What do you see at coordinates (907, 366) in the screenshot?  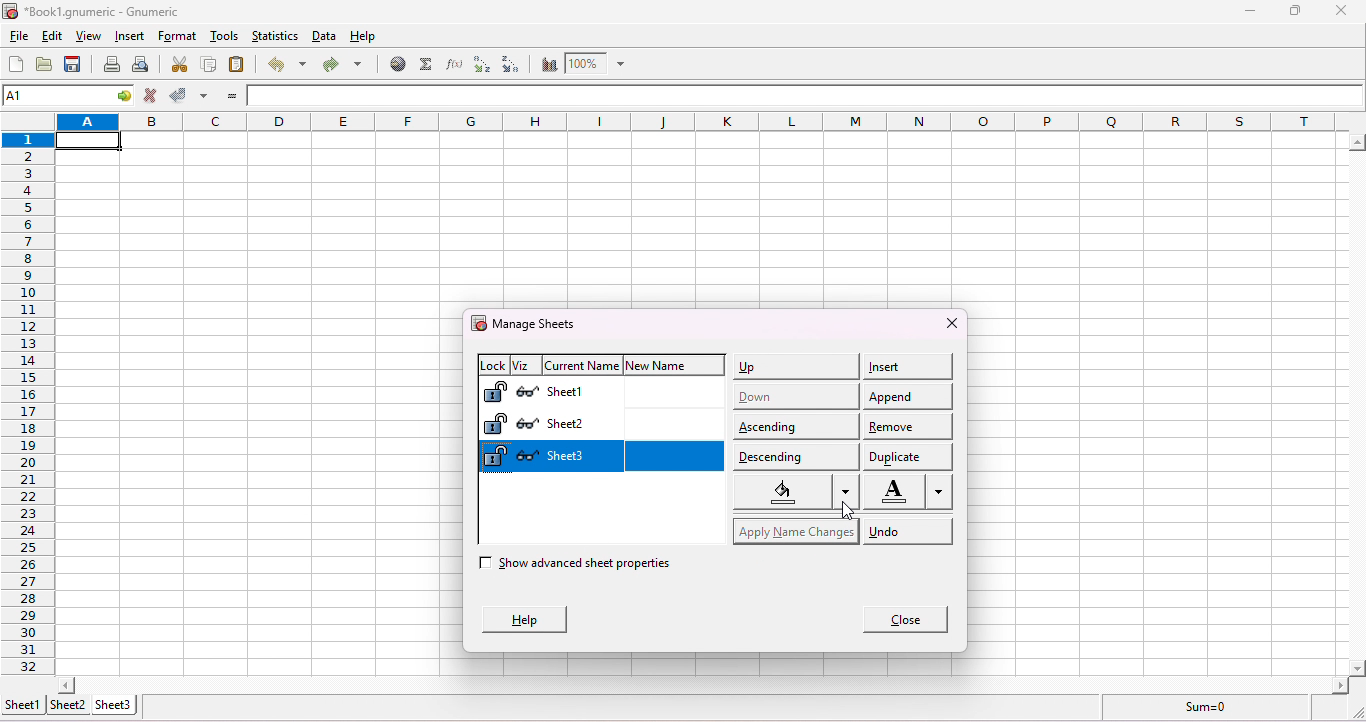 I see `insert` at bounding box center [907, 366].